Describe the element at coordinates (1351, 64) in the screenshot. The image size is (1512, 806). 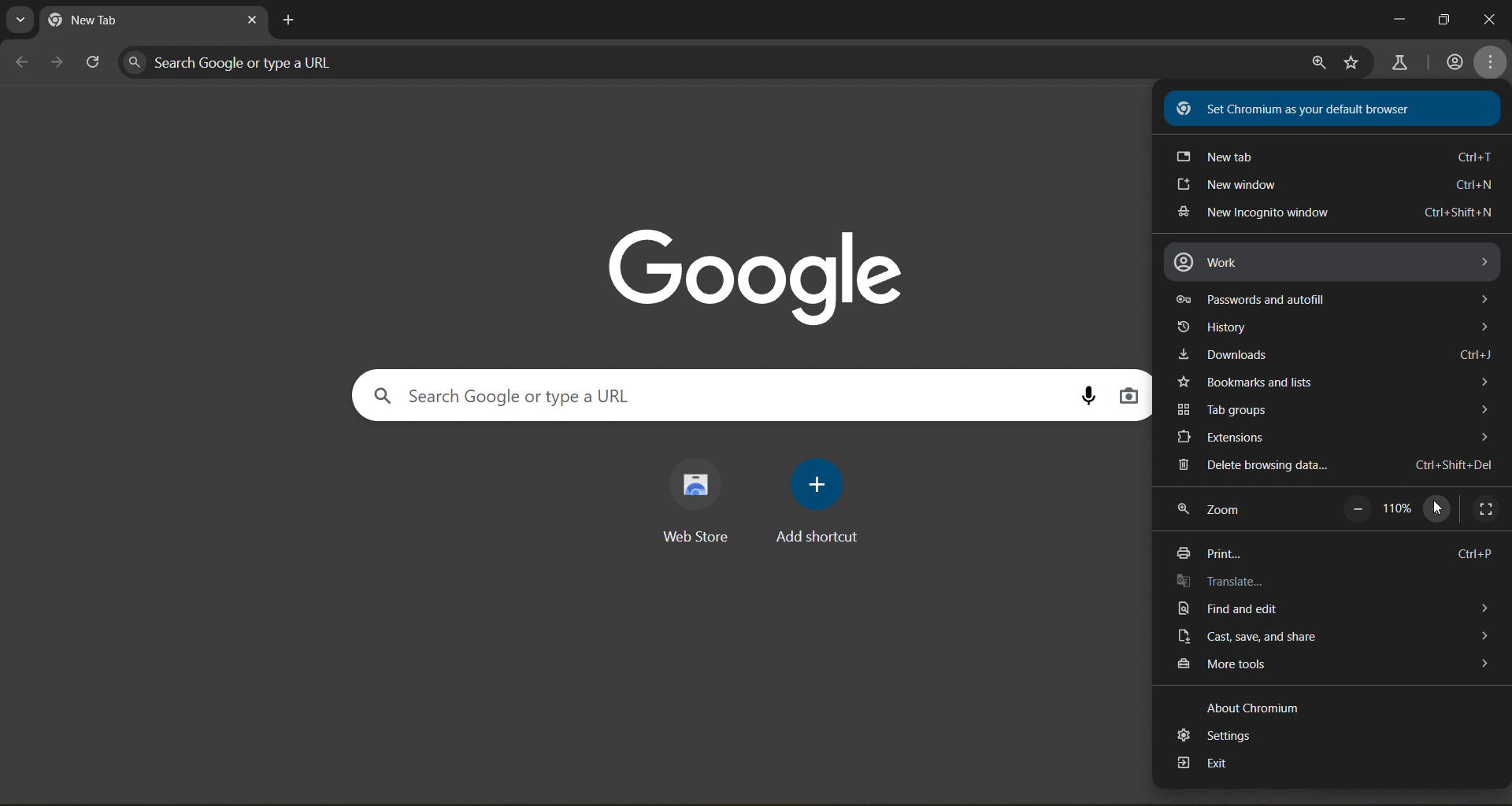
I see `bookmark page` at that location.